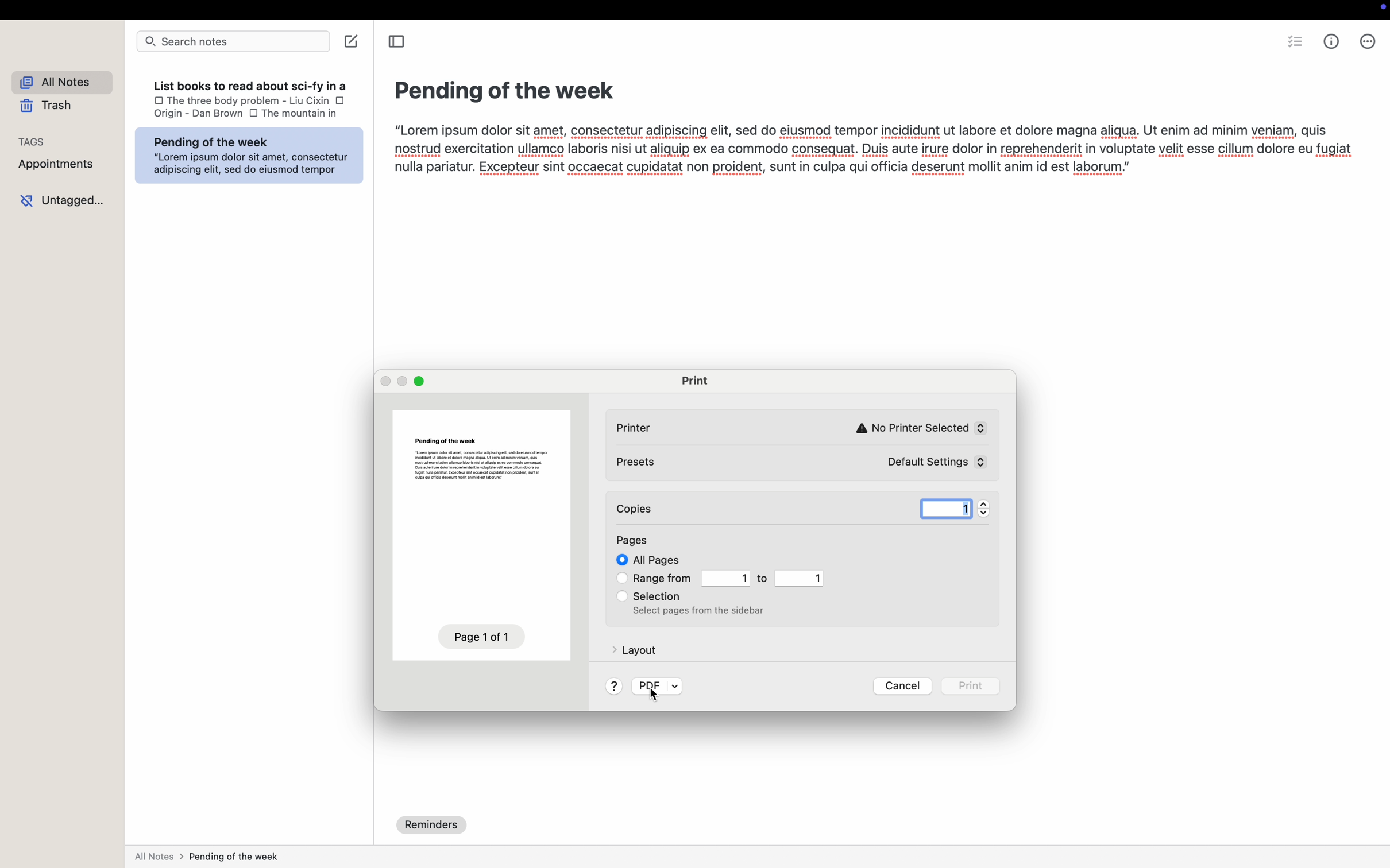 This screenshot has height=868, width=1390. I want to click on toggle sidebar, so click(399, 44).